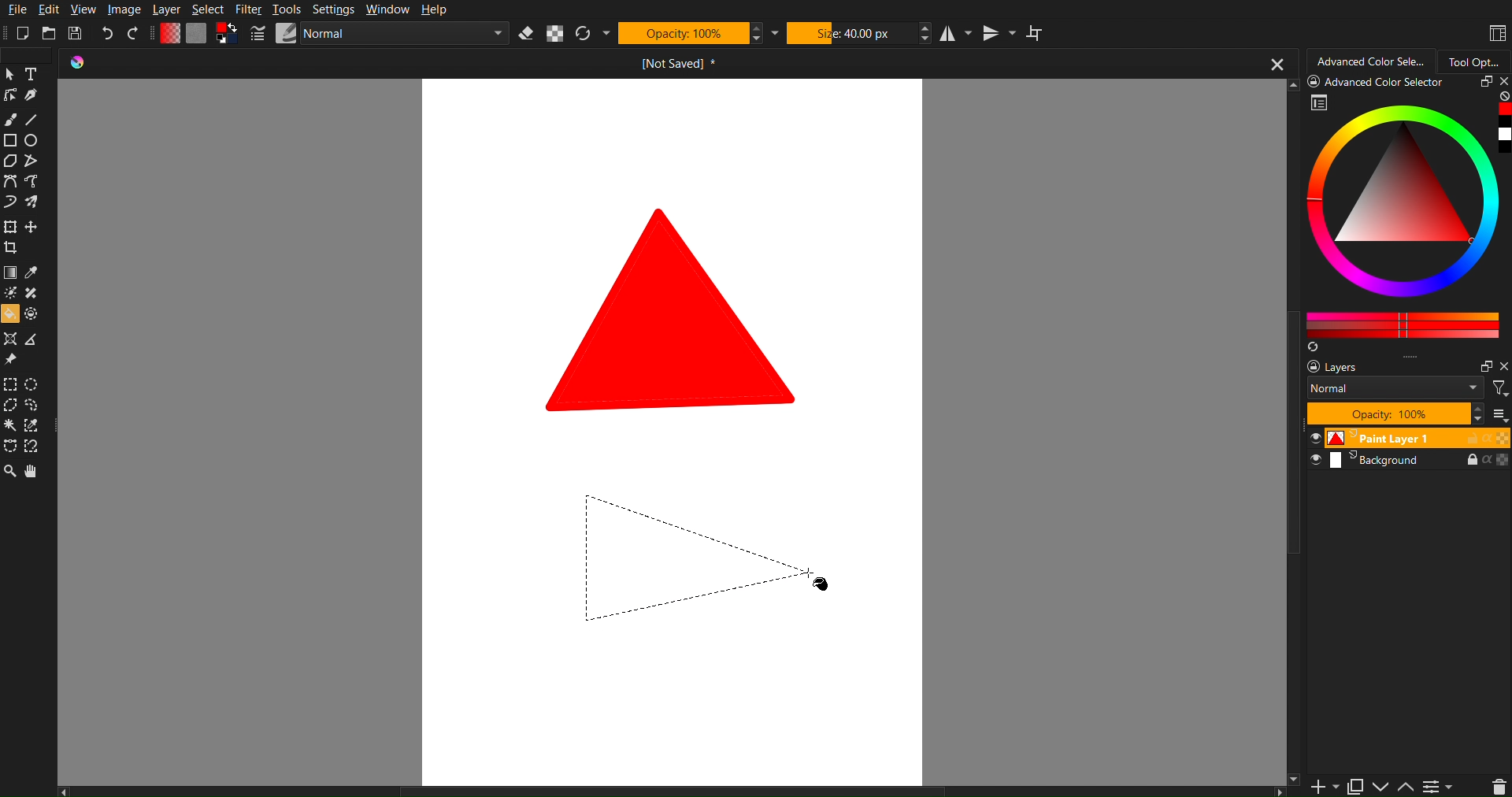 The height and width of the screenshot is (797, 1512). I want to click on Undo, so click(109, 32).